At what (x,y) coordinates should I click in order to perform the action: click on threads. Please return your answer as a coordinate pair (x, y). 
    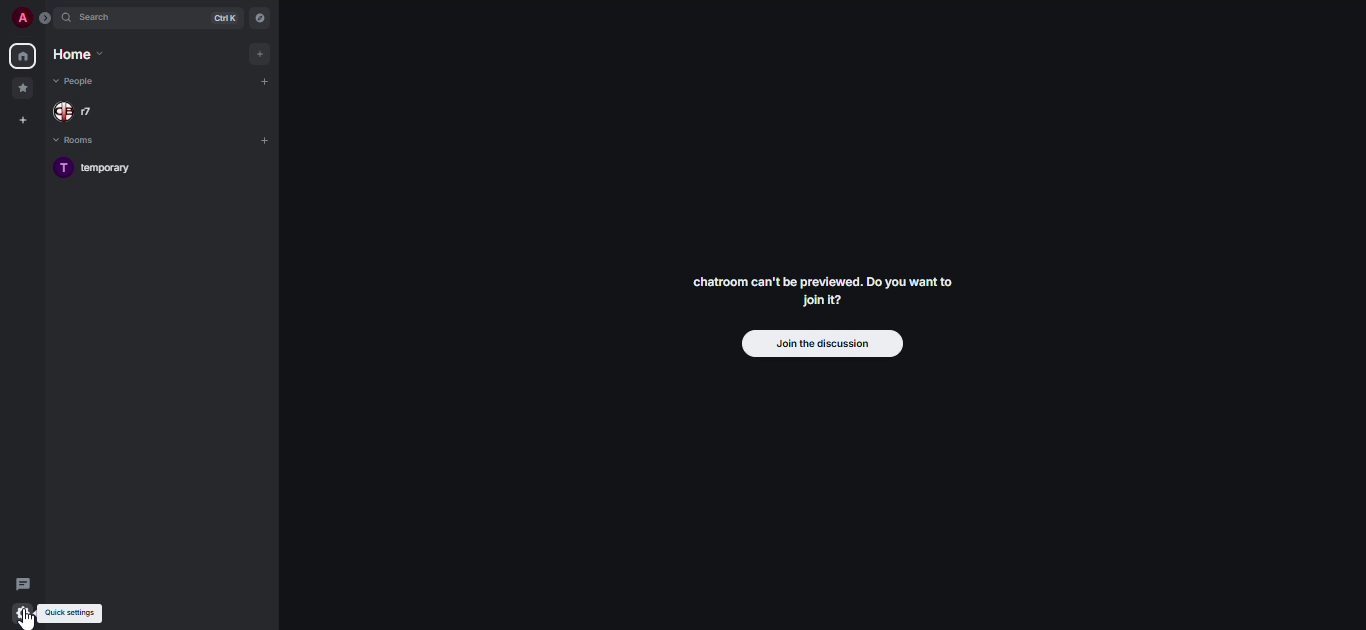
    Looking at the image, I should click on (23, 585).